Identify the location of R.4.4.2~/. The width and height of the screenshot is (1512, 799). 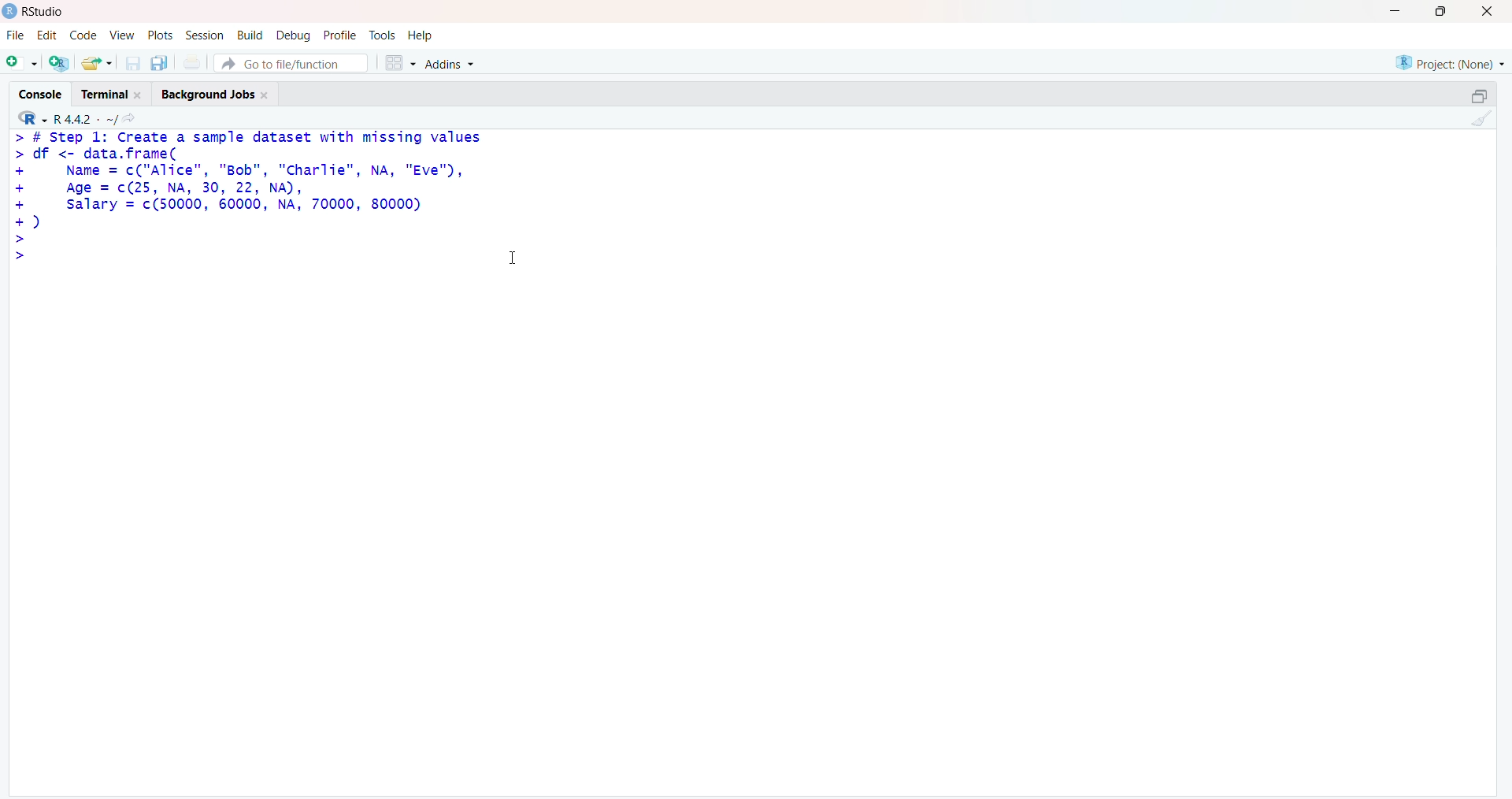
(85, 119).